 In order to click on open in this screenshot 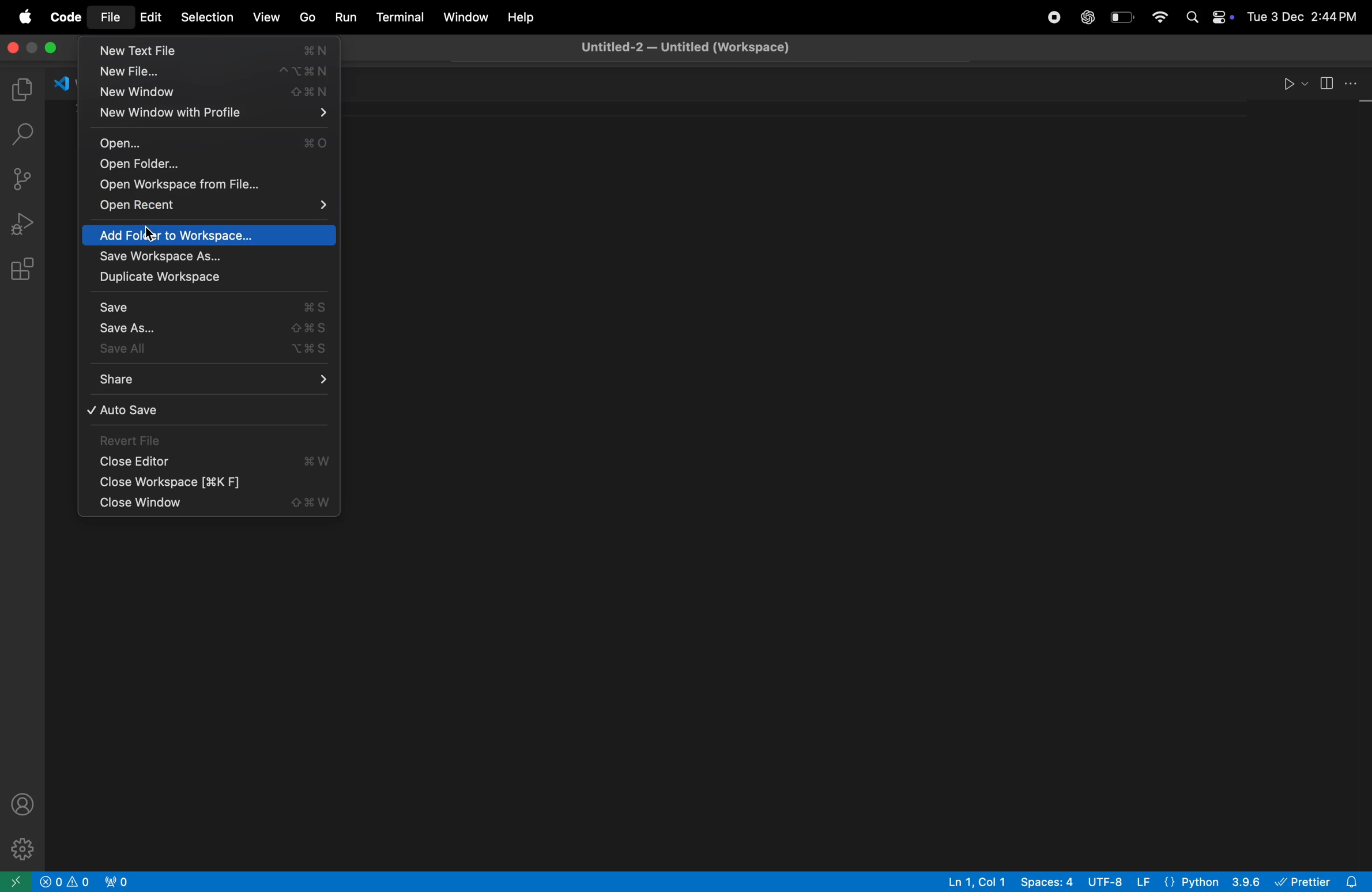, I will do `click(211, 141)`.